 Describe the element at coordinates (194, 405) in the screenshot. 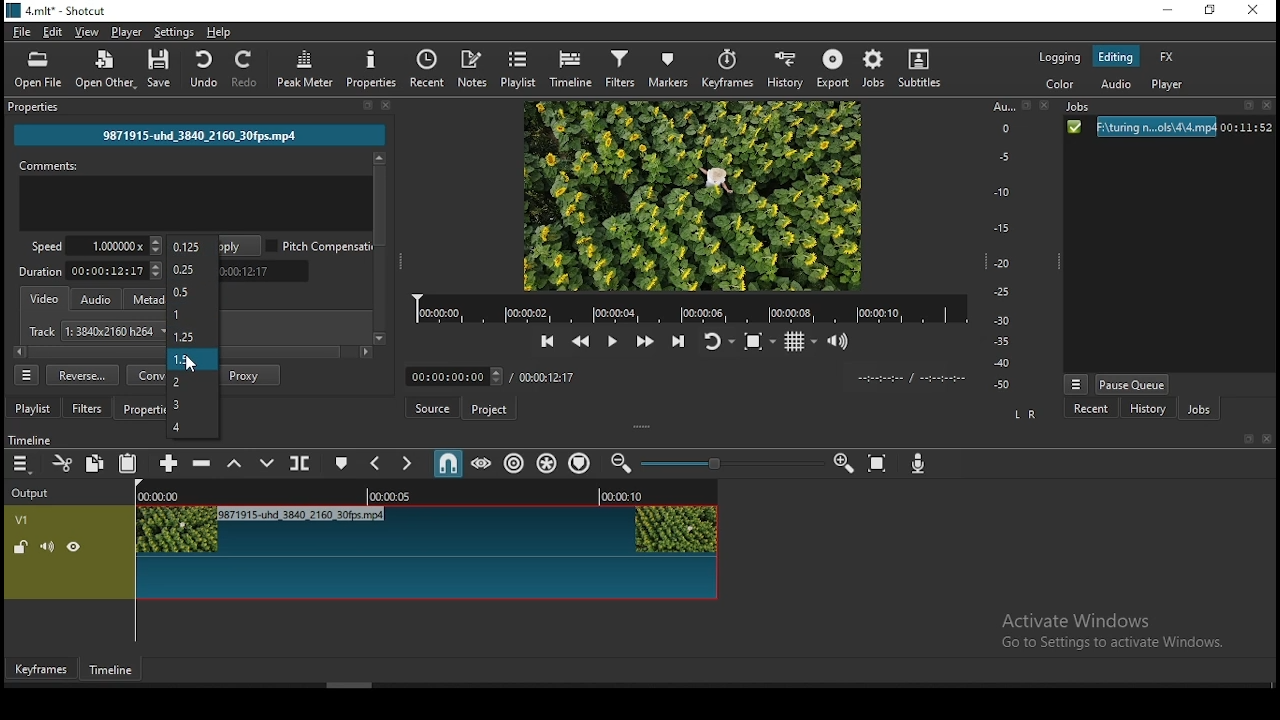

I see `3` at that location.